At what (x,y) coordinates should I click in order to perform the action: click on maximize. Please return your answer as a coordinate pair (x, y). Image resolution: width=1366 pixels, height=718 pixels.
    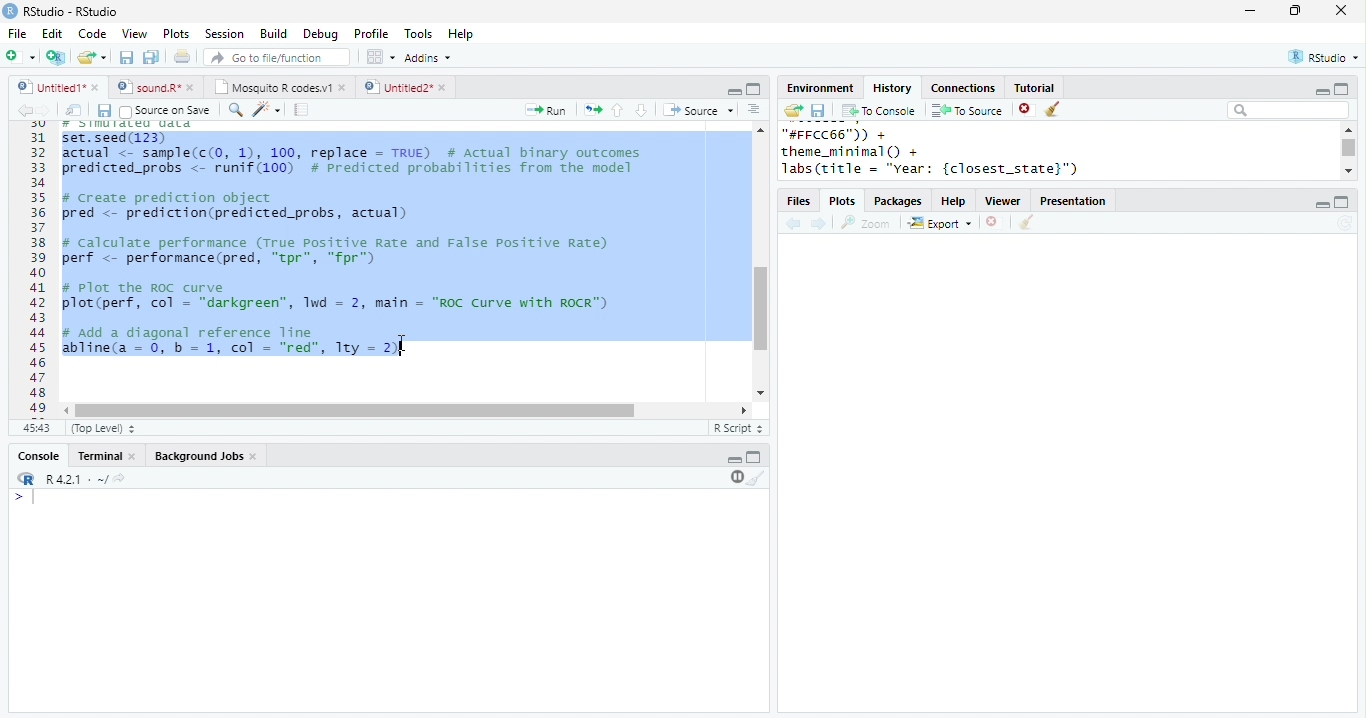
    Looking at the image, I should click on (1342, 202).